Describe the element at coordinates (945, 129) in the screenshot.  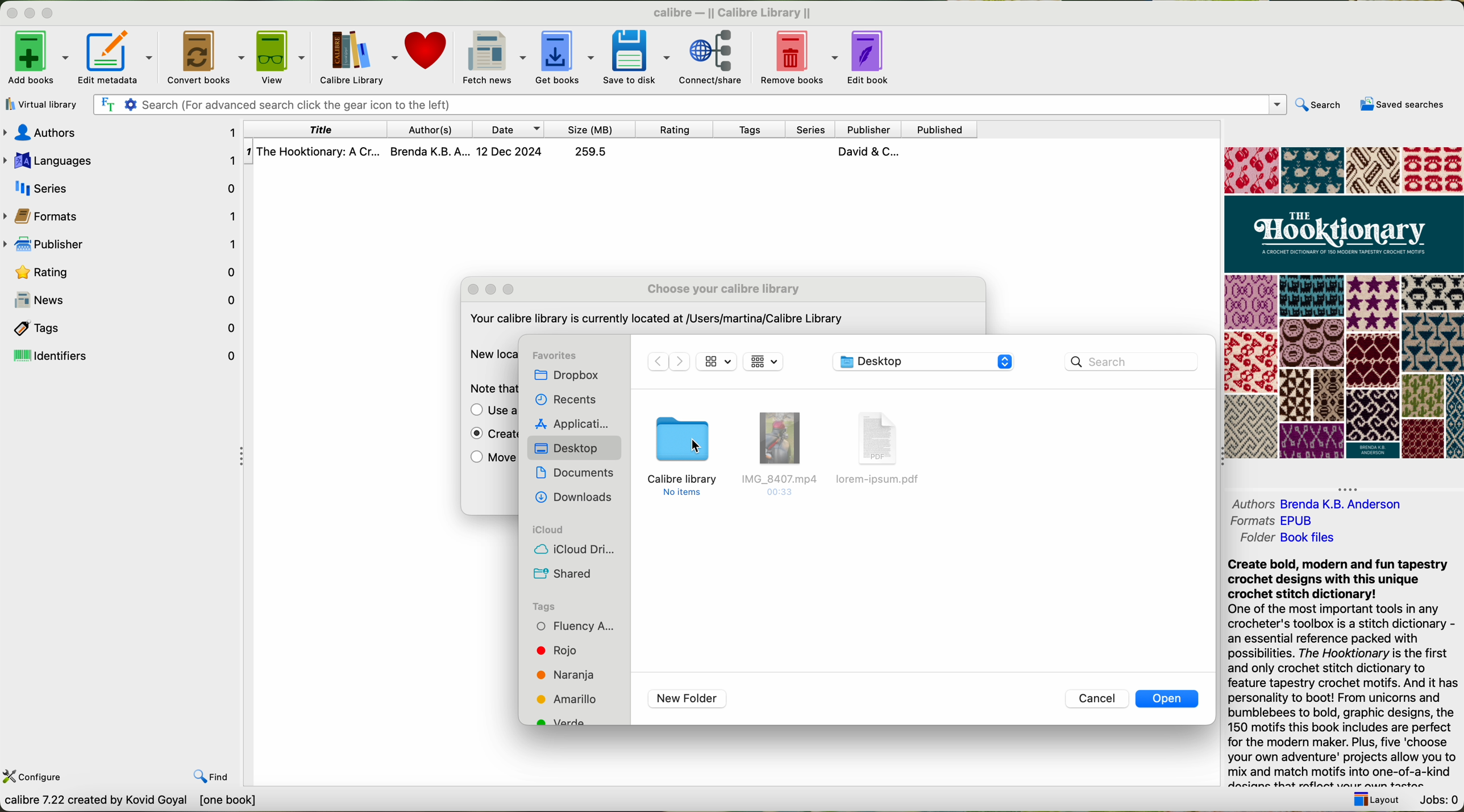
I see `published` at that location.